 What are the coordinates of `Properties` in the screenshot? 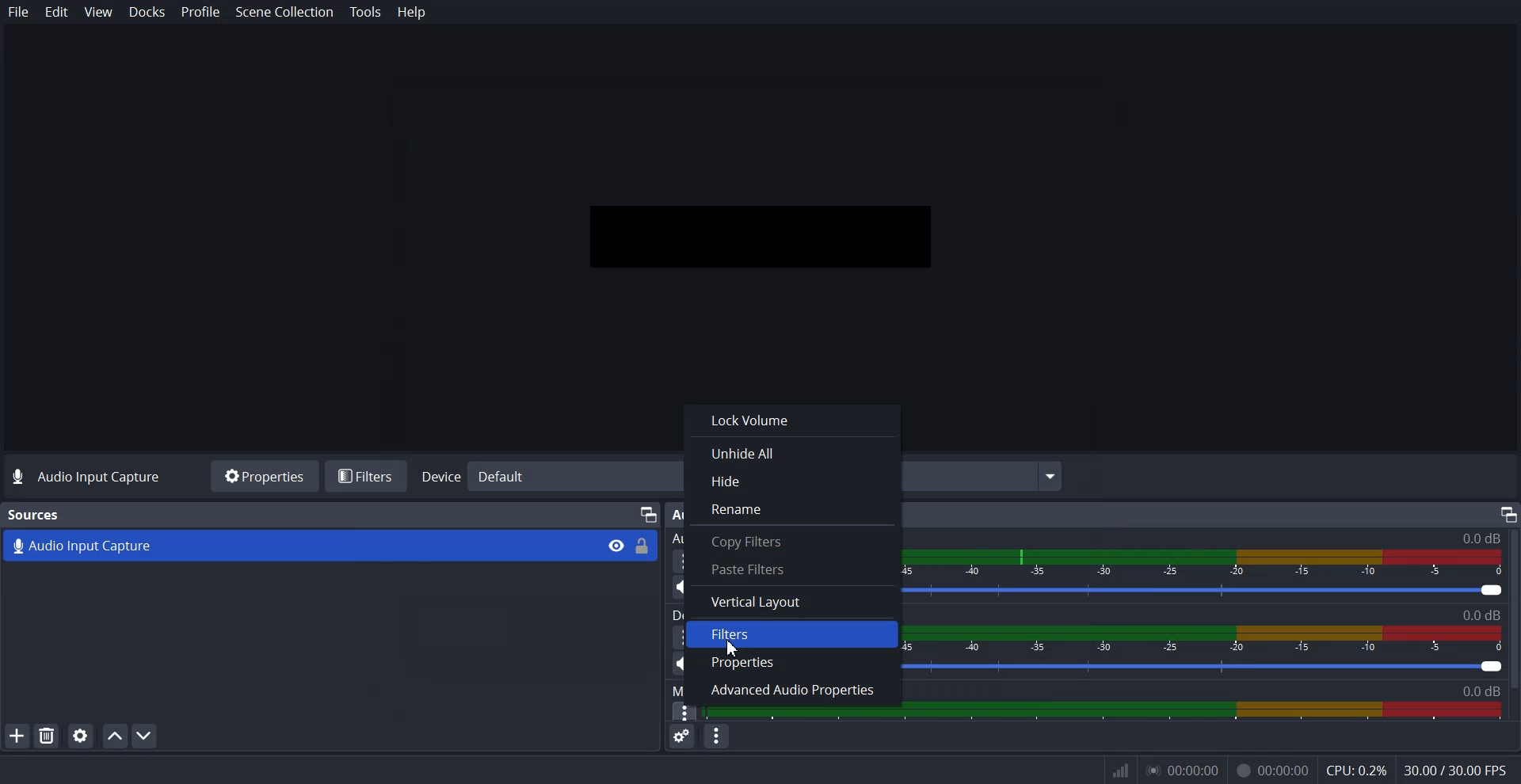 It's located at (263, 476).